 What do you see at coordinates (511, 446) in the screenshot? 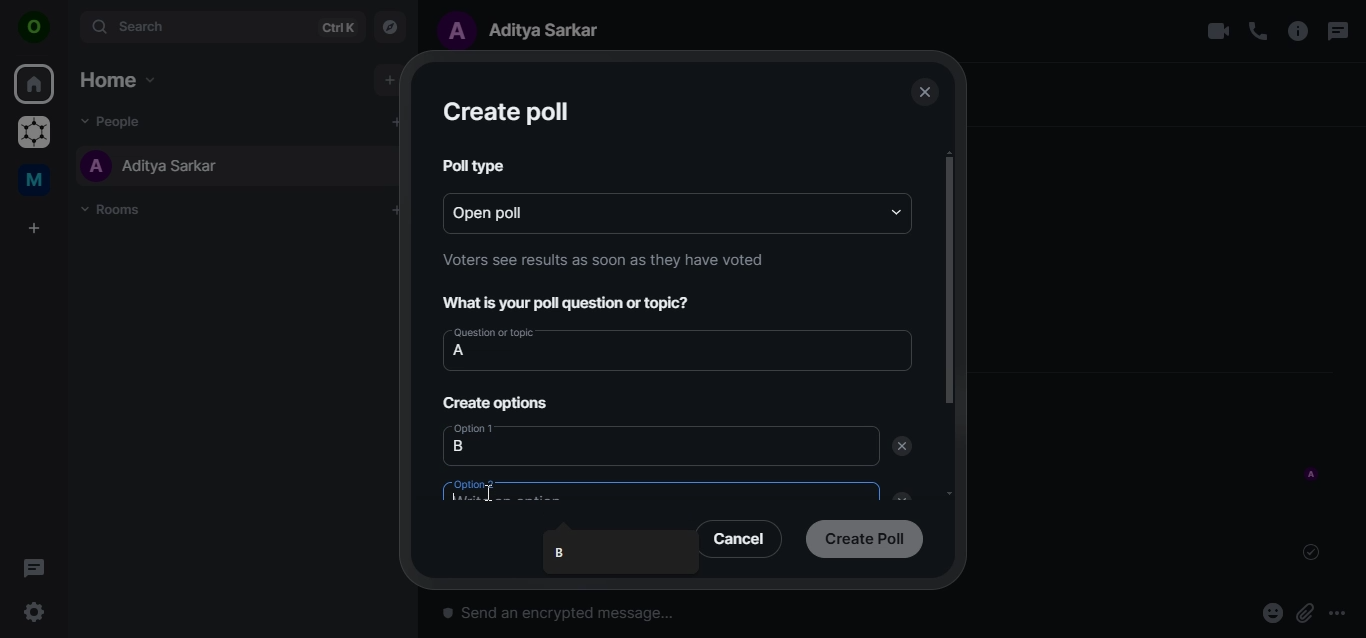
I see `option1` at bounding box center [511, 446].